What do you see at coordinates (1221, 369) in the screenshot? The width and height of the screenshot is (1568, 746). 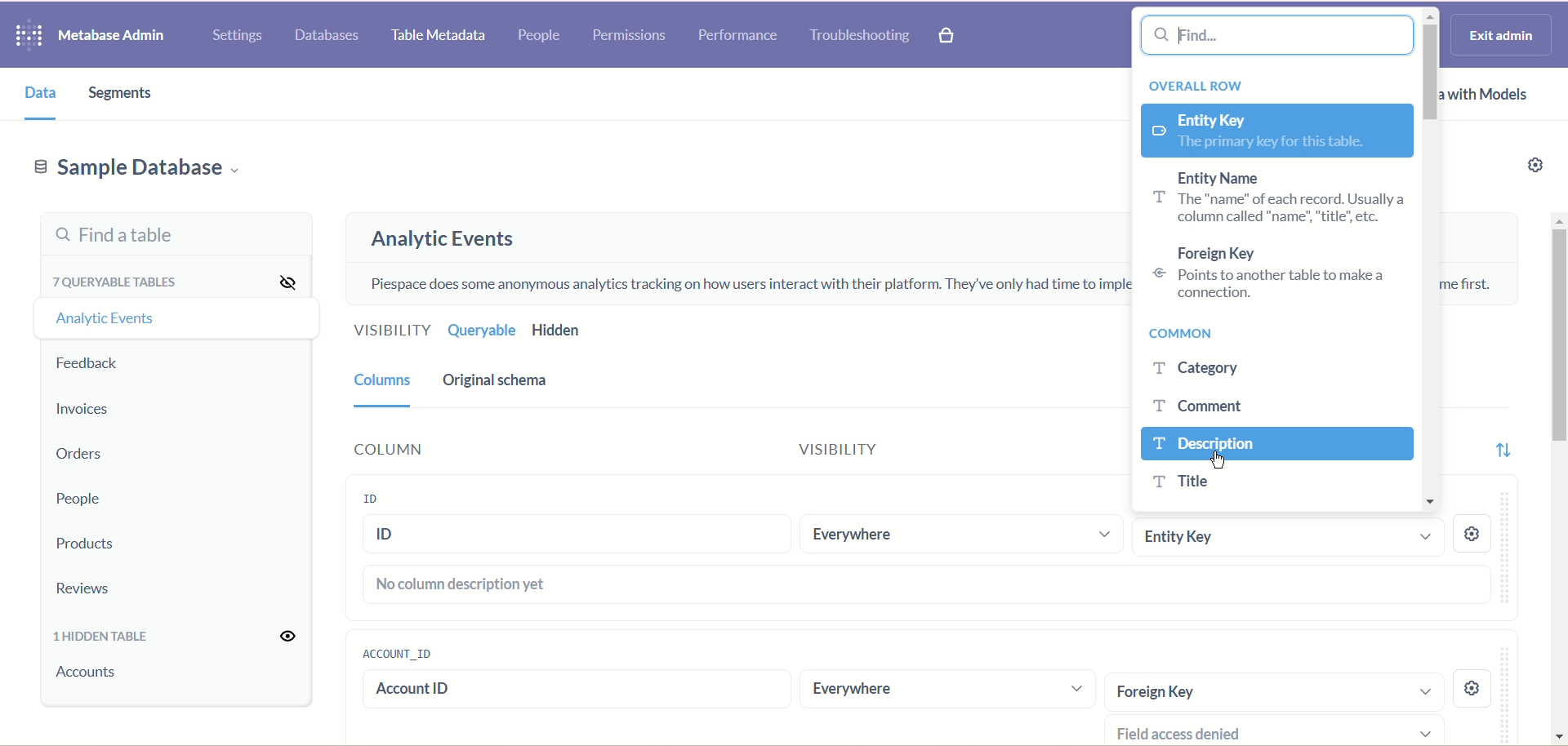 I see `category` at bounding box center [1221, 369].